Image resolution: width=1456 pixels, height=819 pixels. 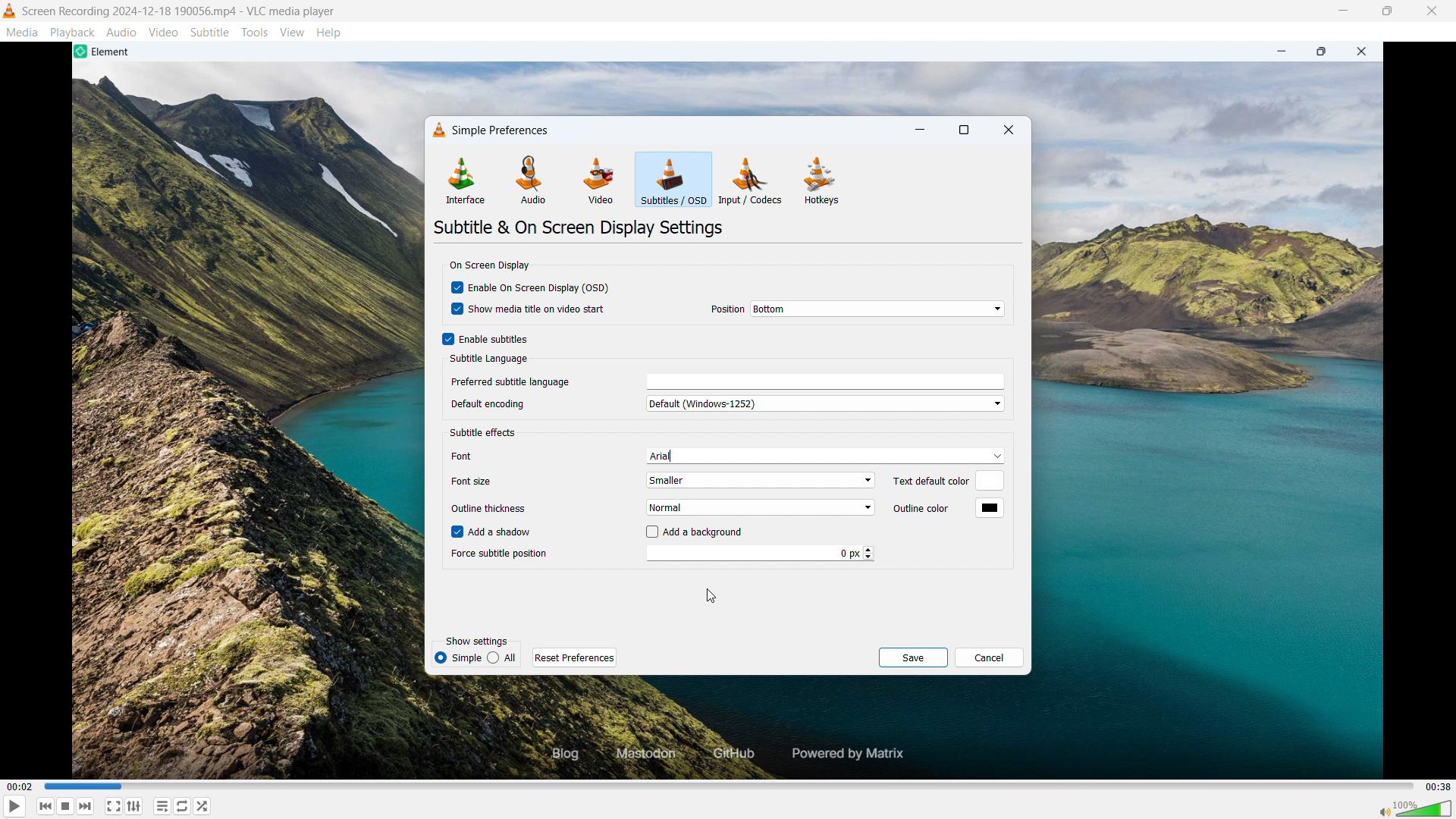 I want to click on subtittles & on screen display settings, so click(x=579, y=227).